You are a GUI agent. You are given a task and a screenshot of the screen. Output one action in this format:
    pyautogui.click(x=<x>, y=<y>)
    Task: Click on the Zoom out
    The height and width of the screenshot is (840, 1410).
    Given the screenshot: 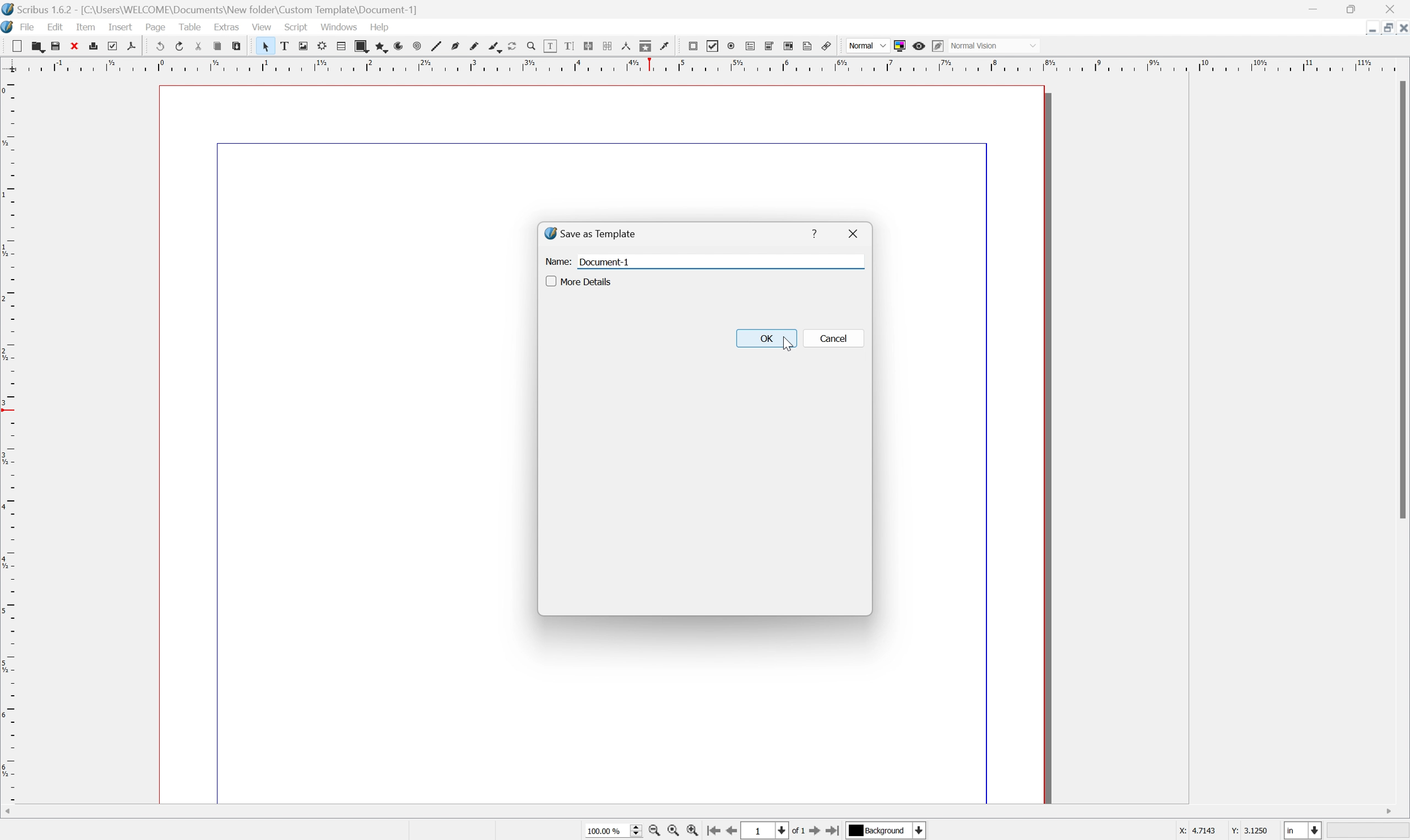 What is the action you would take?
    pyautogui.click(x=651, y=832)
    